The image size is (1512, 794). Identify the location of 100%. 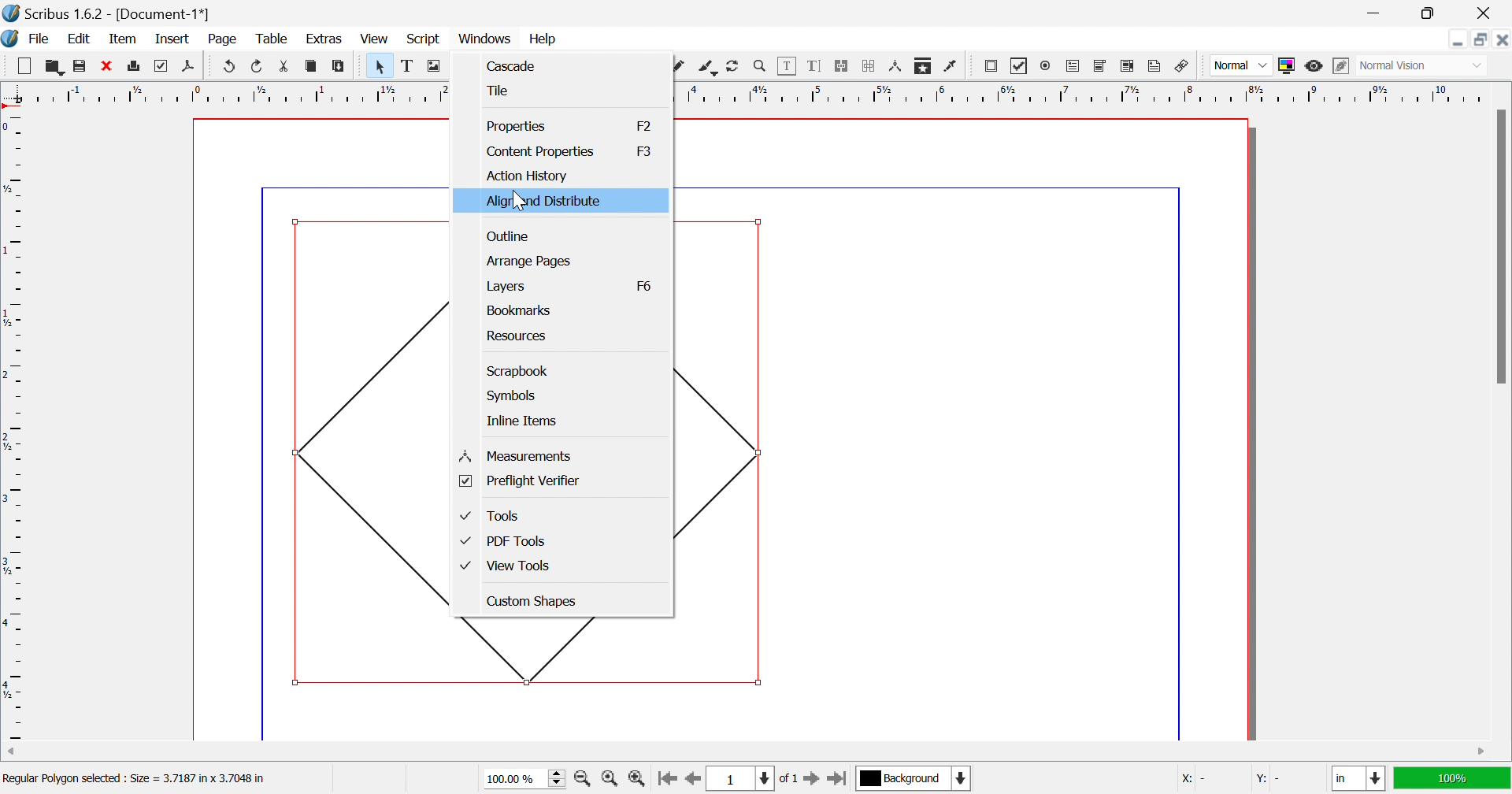
(1450, 777).